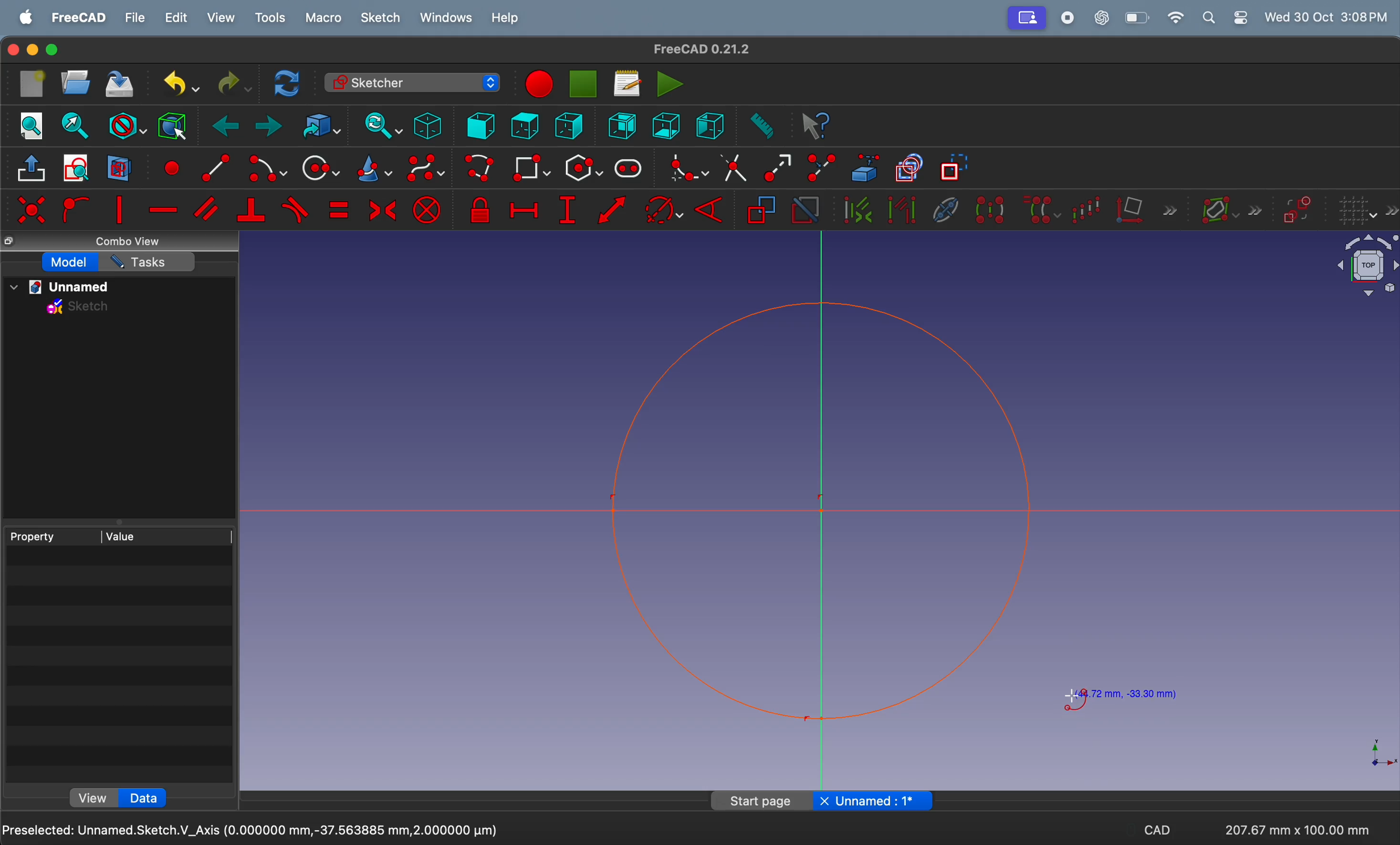 This screenshot has height=845, width=1400. What do you see at coordinates (164, 210) in the screenshot?
I see `constrain horrizontal` at bounding box center [164, 210].